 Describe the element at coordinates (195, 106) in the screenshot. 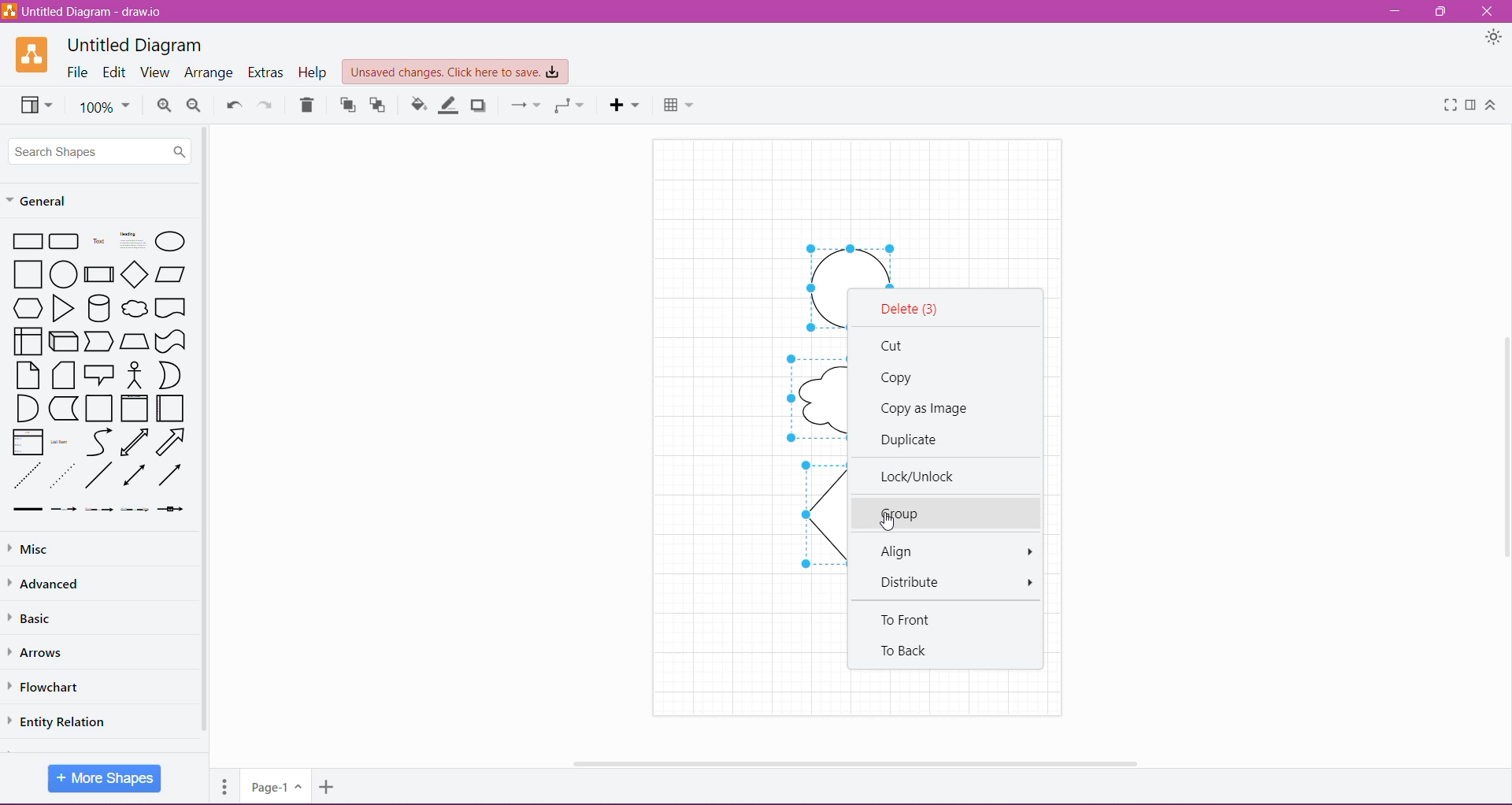

I see `Zoom Out` at that location.